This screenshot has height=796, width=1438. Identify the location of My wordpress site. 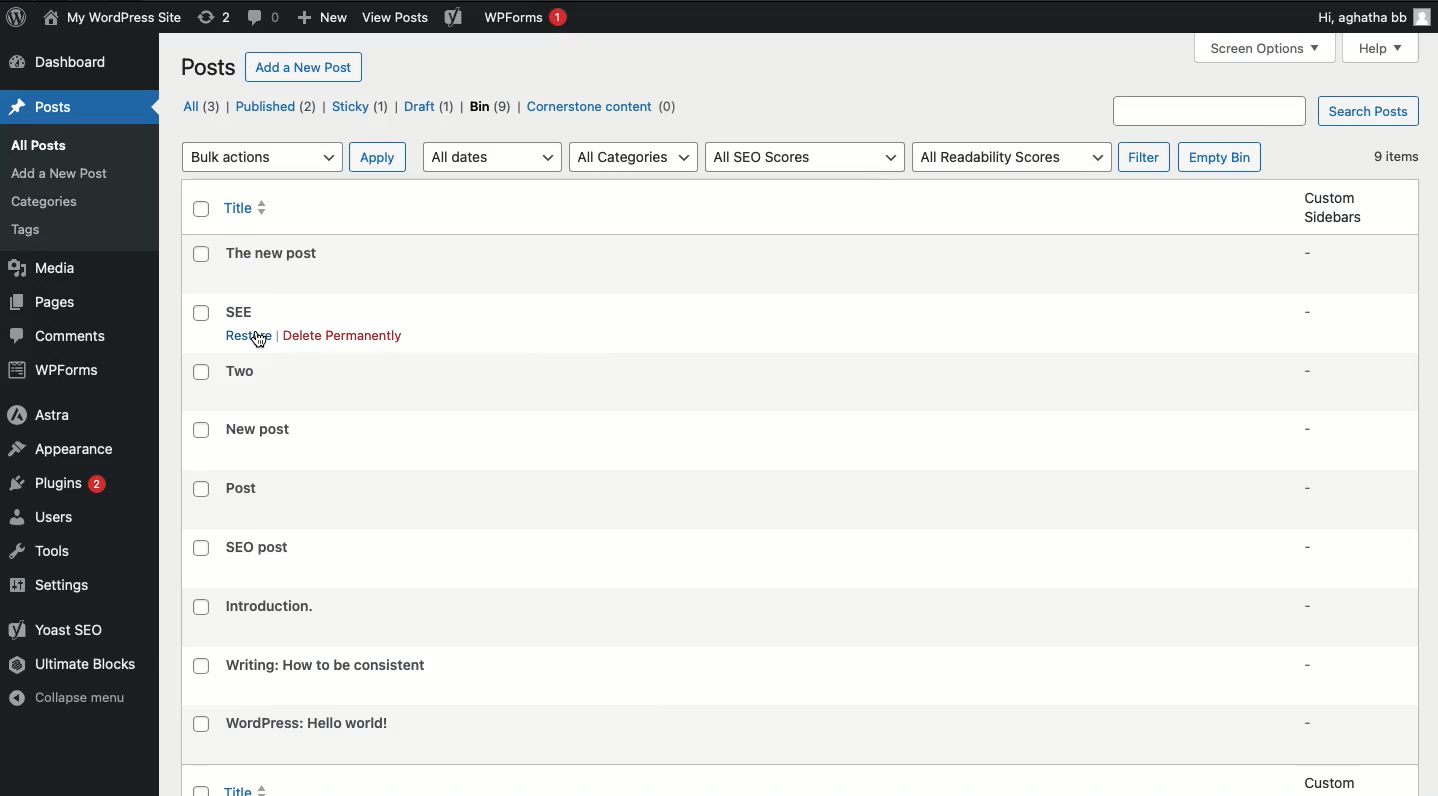
(115, 19).